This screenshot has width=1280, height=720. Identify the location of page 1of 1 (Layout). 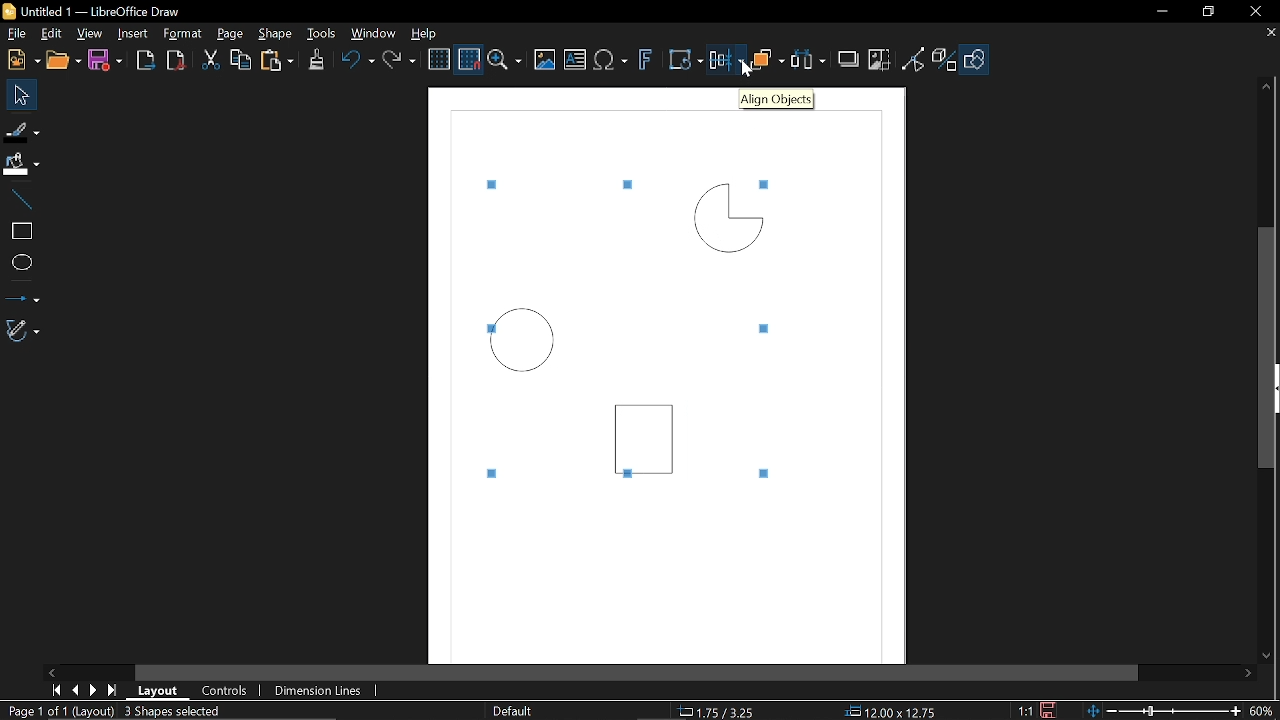
(60, 710).